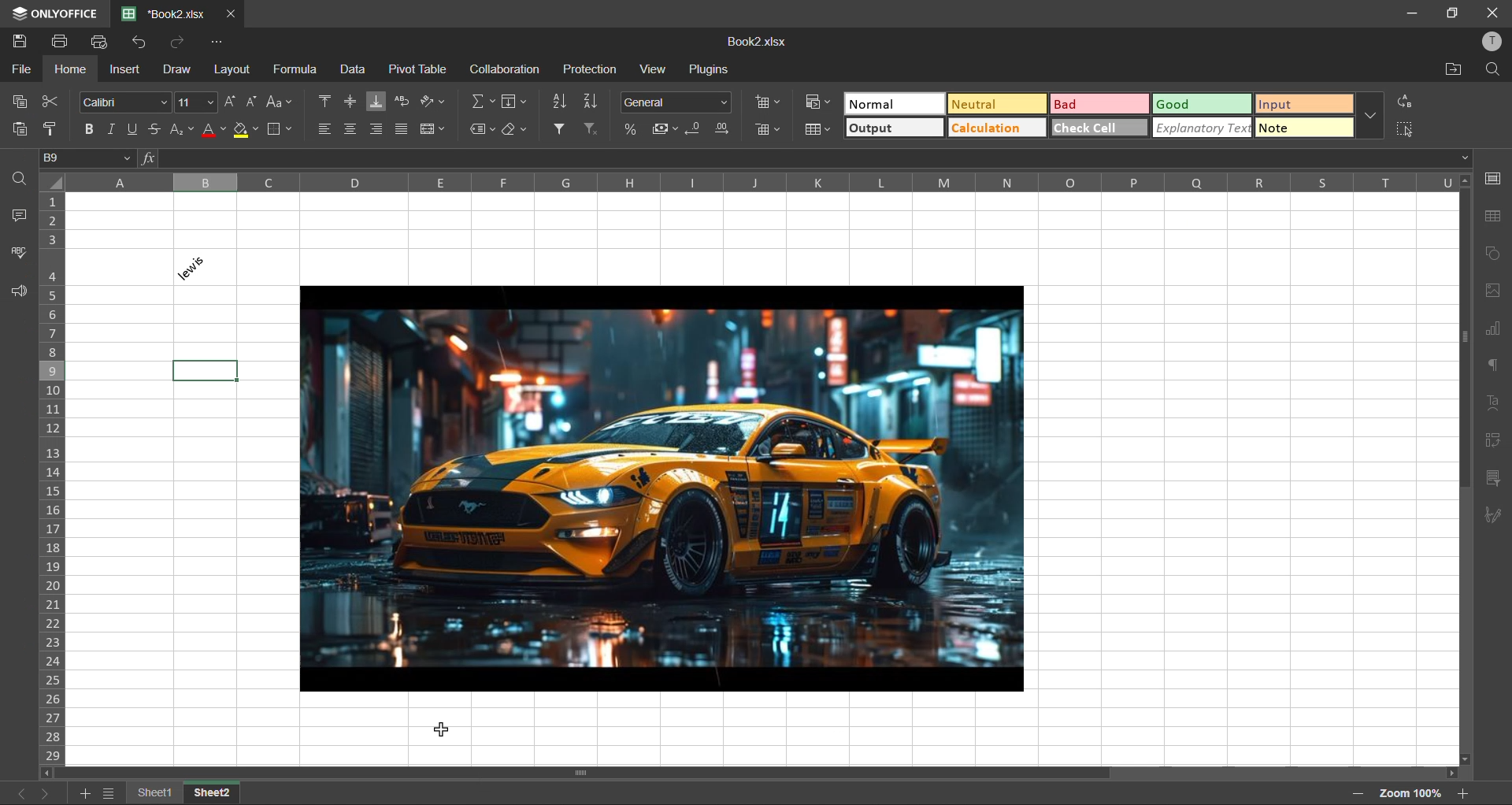  What do you see at coordinates (353, 129) in the screenshot?
I see `align center` at bounding box center [353, 129].